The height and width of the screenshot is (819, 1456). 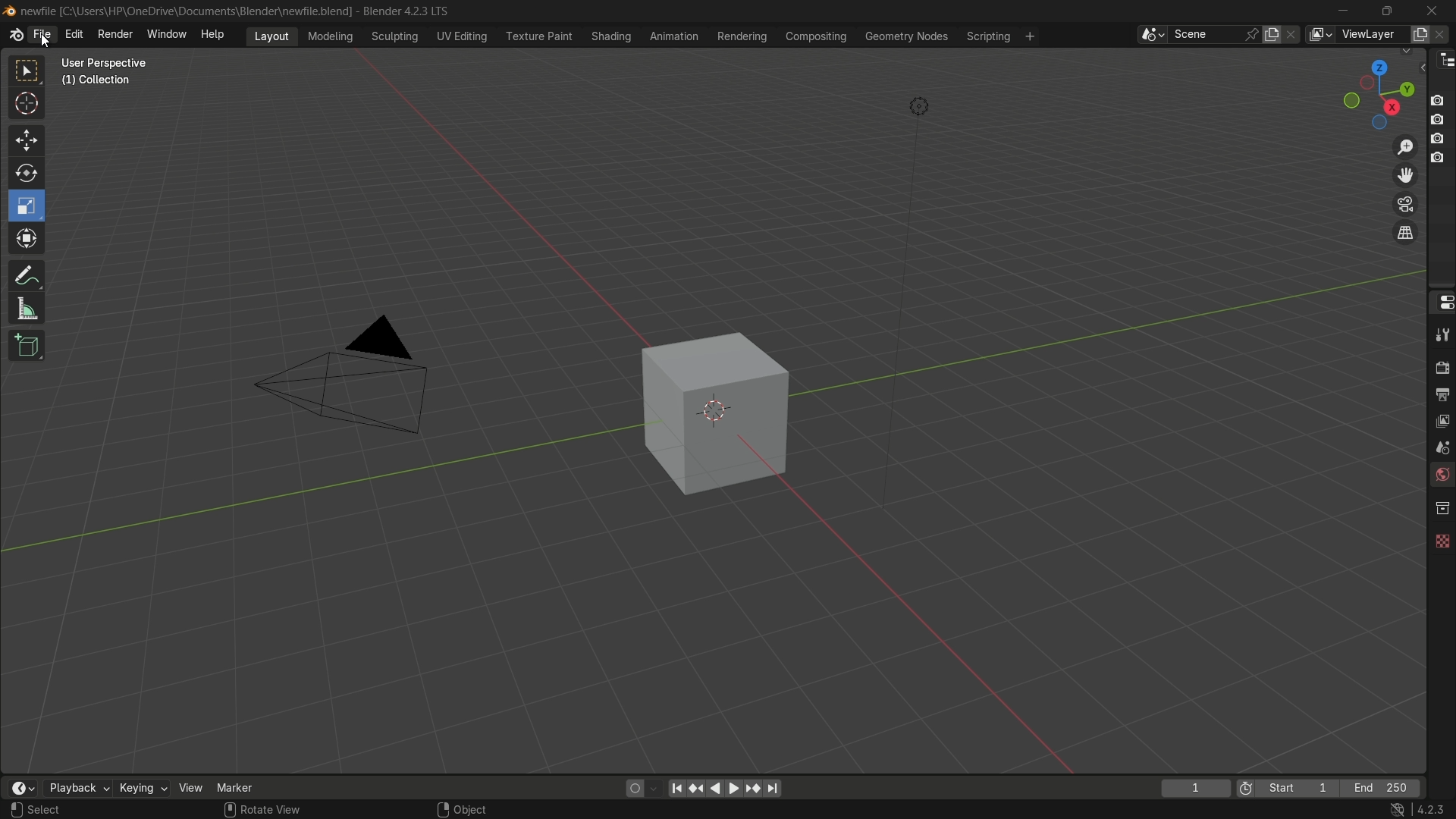 I want to click on User prepective, so click(x=111, y=63).